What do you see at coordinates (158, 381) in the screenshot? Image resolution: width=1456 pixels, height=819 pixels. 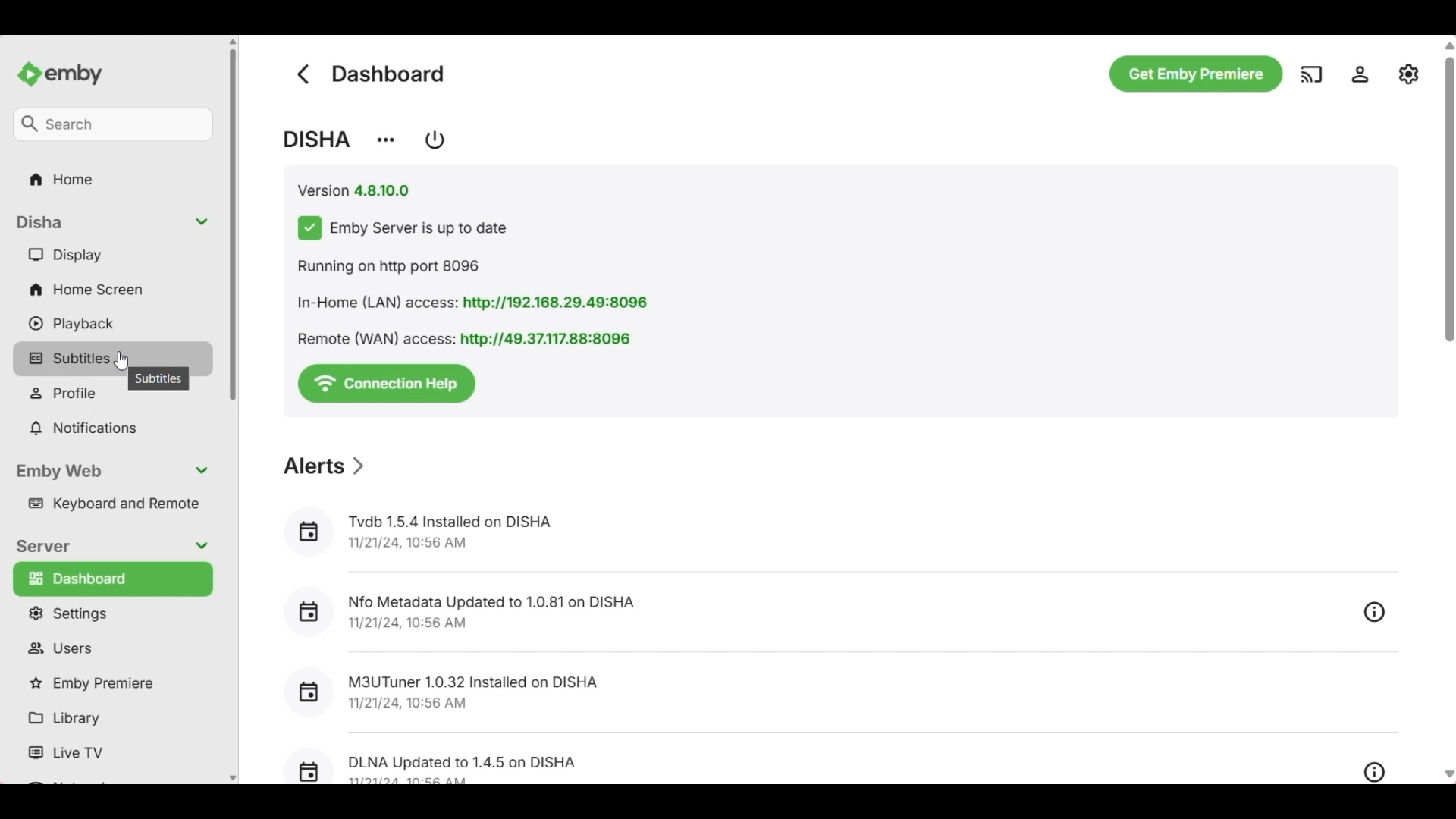 I see `Description of selected icon` at bounding box center [158, 381].